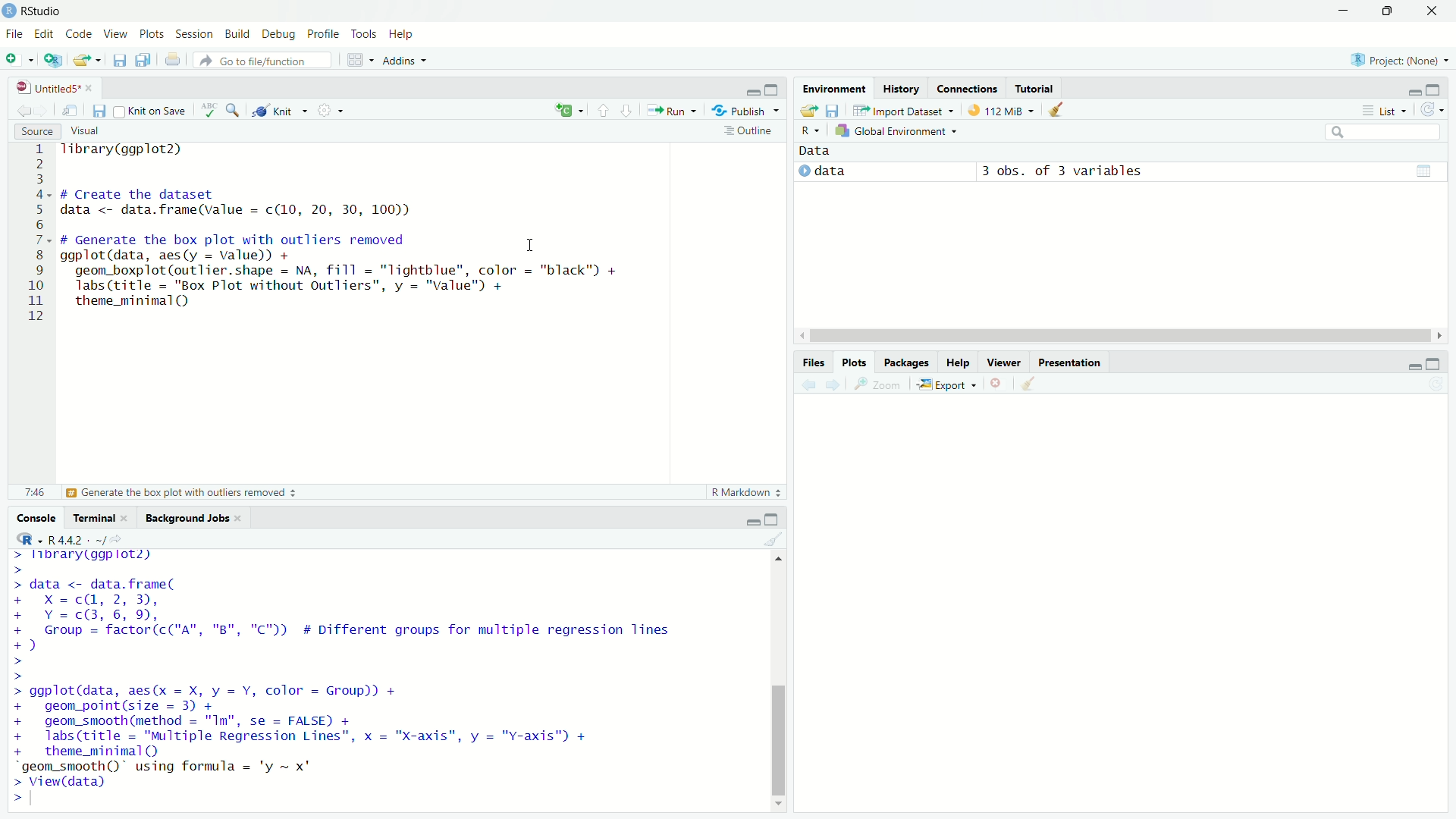 This screenshot has height=819, width=1456. I want to click on Tutorial, so click(1036, 86).